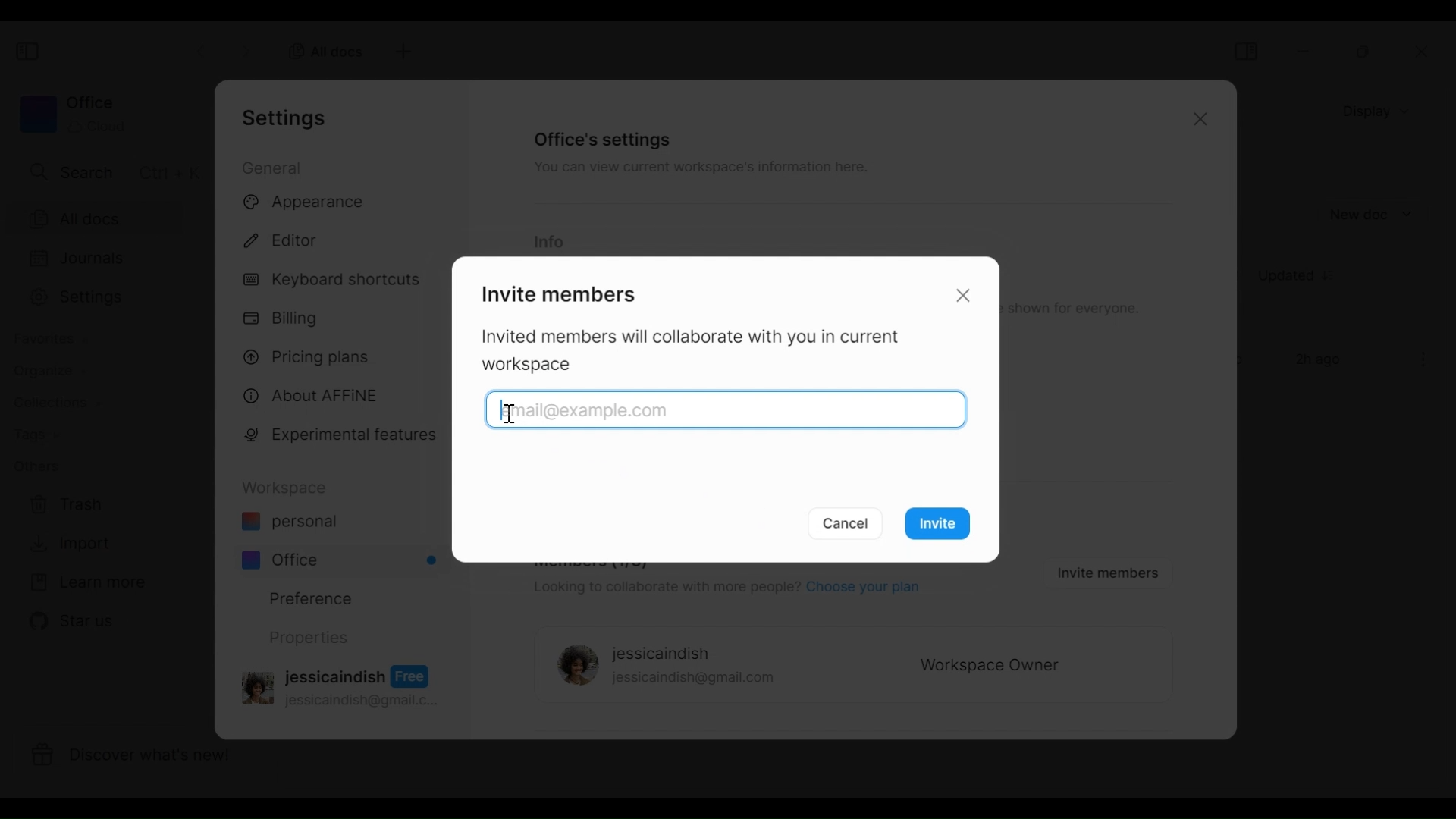 Image resolution: width=1456 pixels, height=819 pixels. I want to click on Trash, so click(67, 505).